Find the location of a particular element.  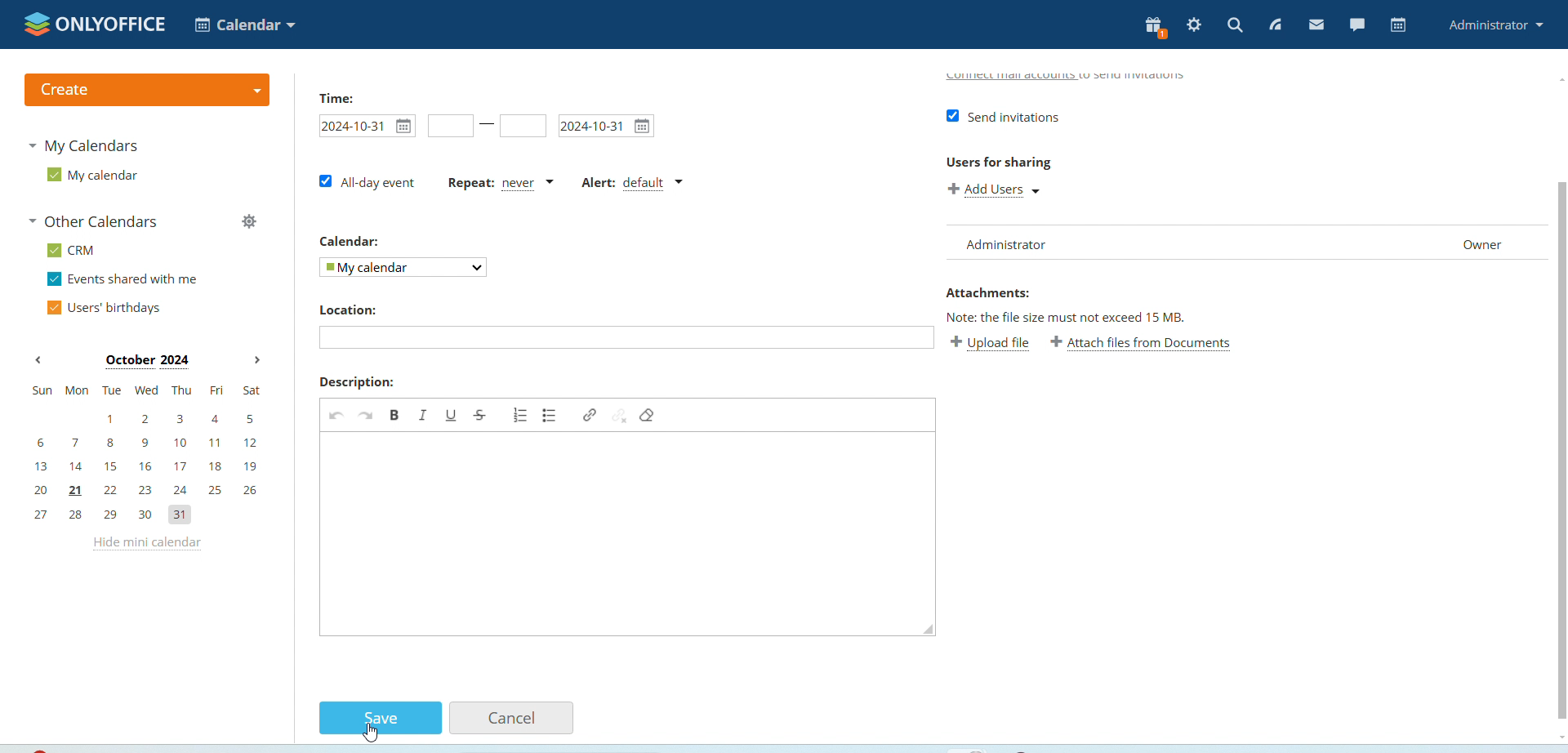

my calendar is located at coordinates (97, 174).